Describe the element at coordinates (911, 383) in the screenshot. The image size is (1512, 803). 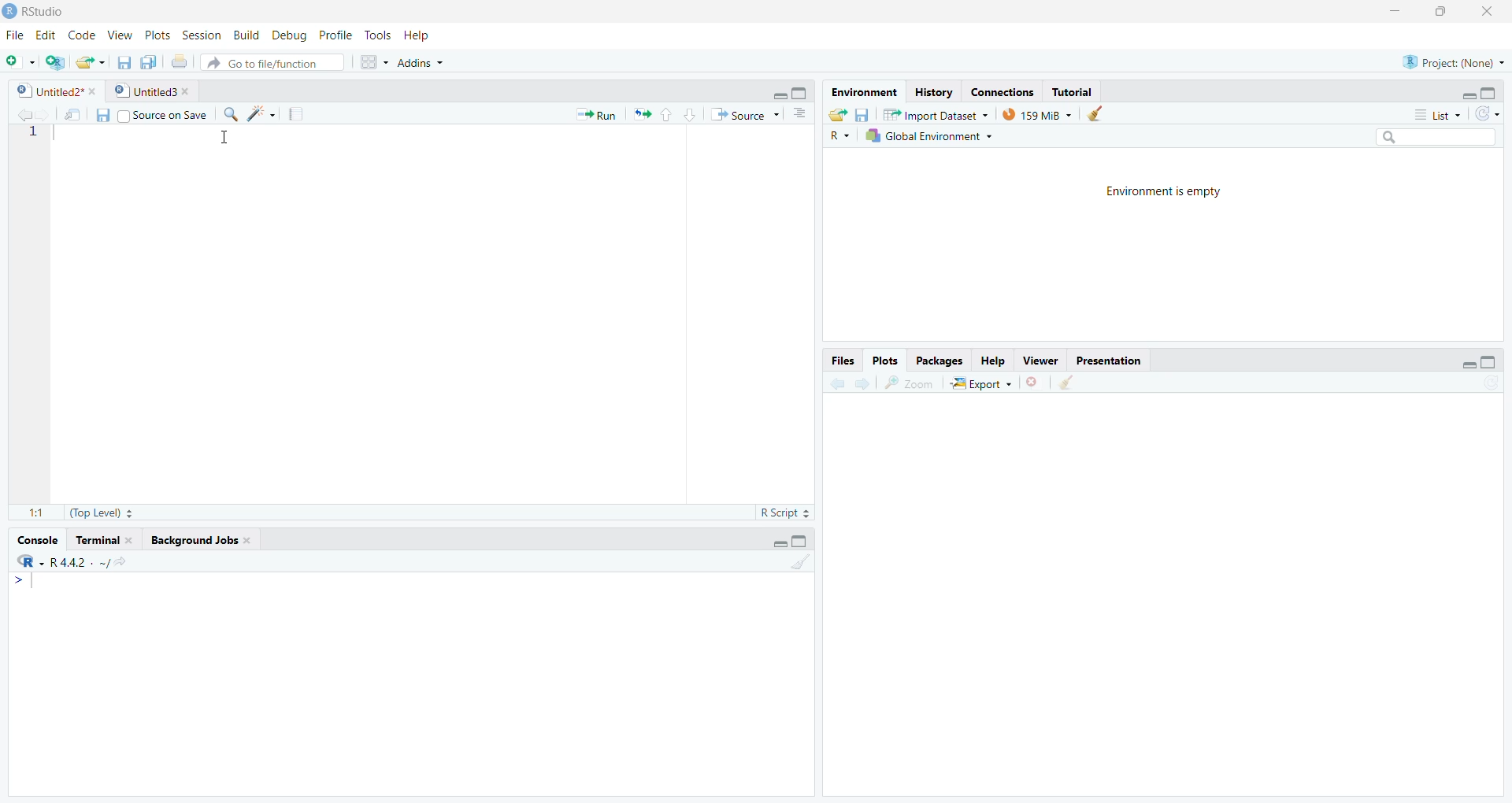
I see `Zoom` at that location.